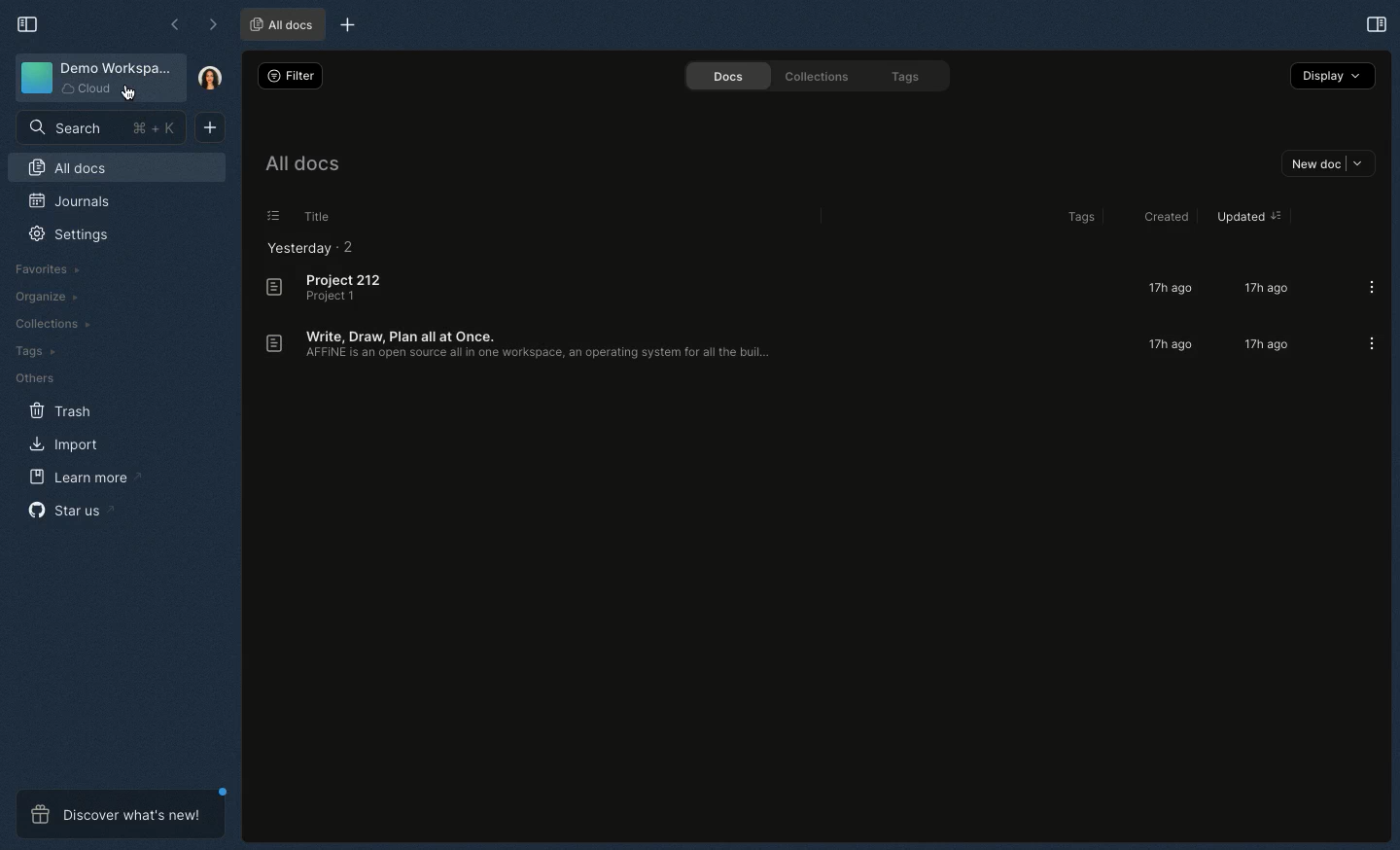  Describe the element at coordinates (288, 76) in the screenshot. I see `Filter` at that location.